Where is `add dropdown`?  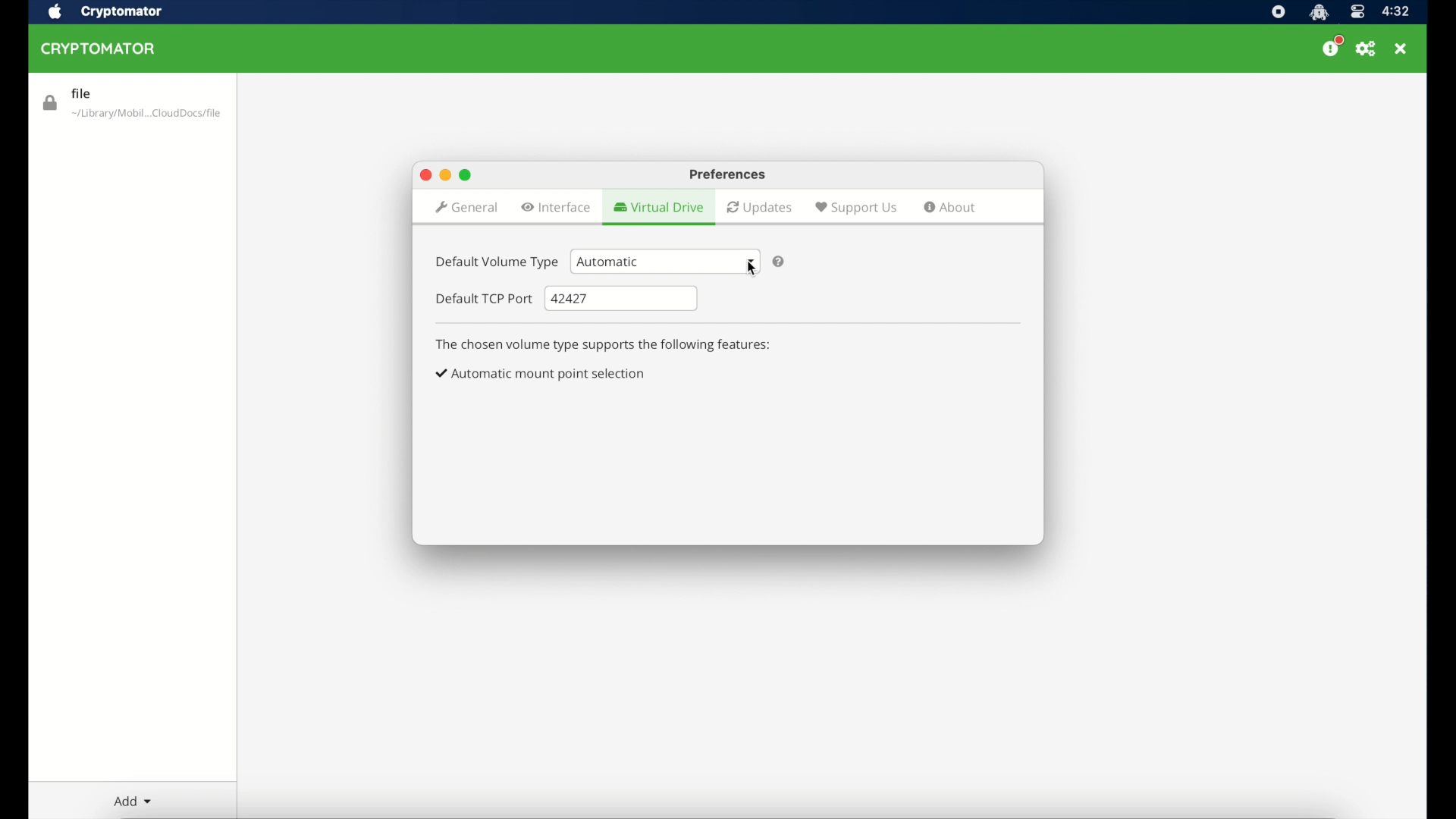 add dropdown is located at coordinates (132, 801).